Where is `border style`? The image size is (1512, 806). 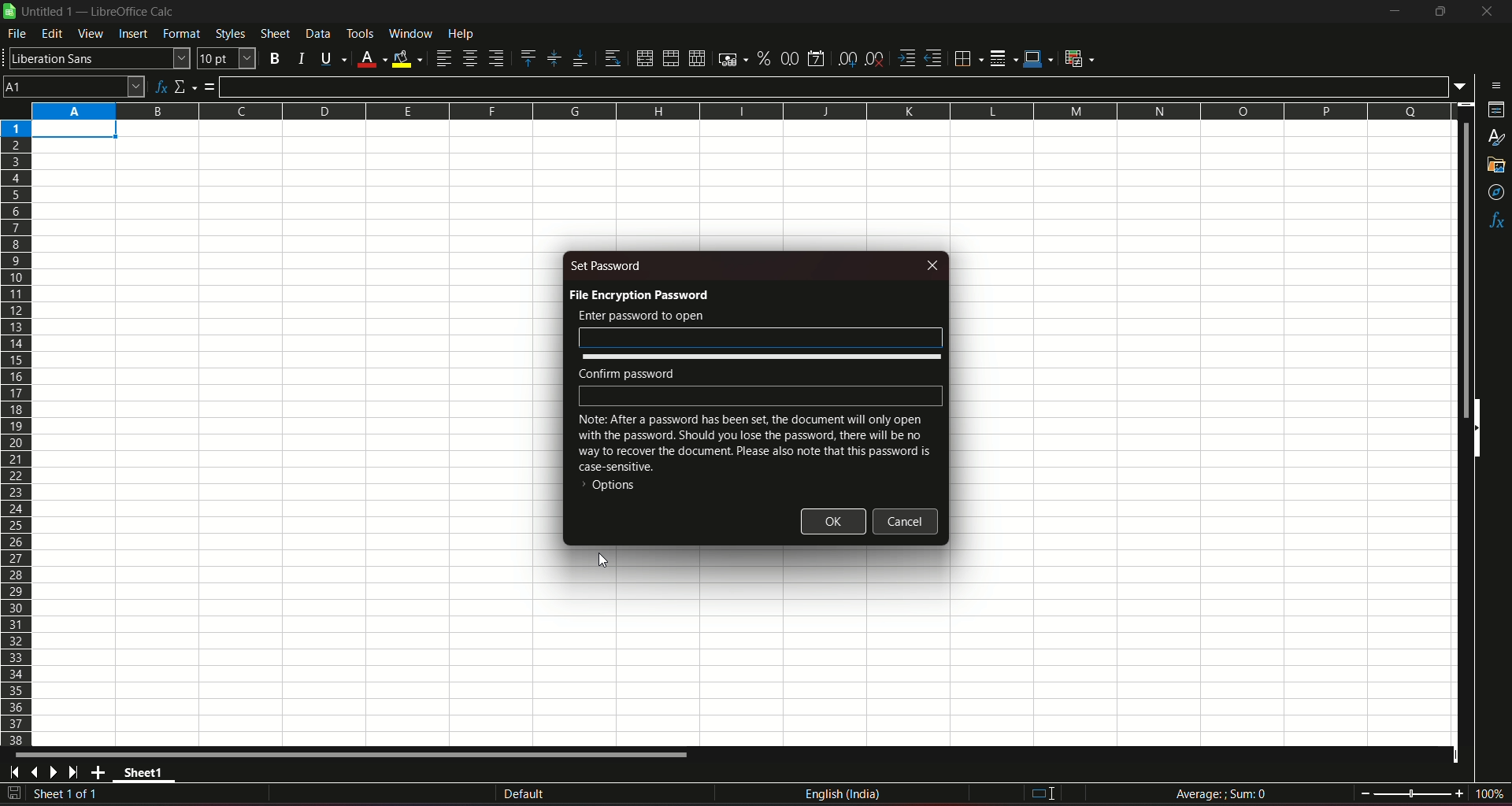 border style is located at coordinates (1005, 57).